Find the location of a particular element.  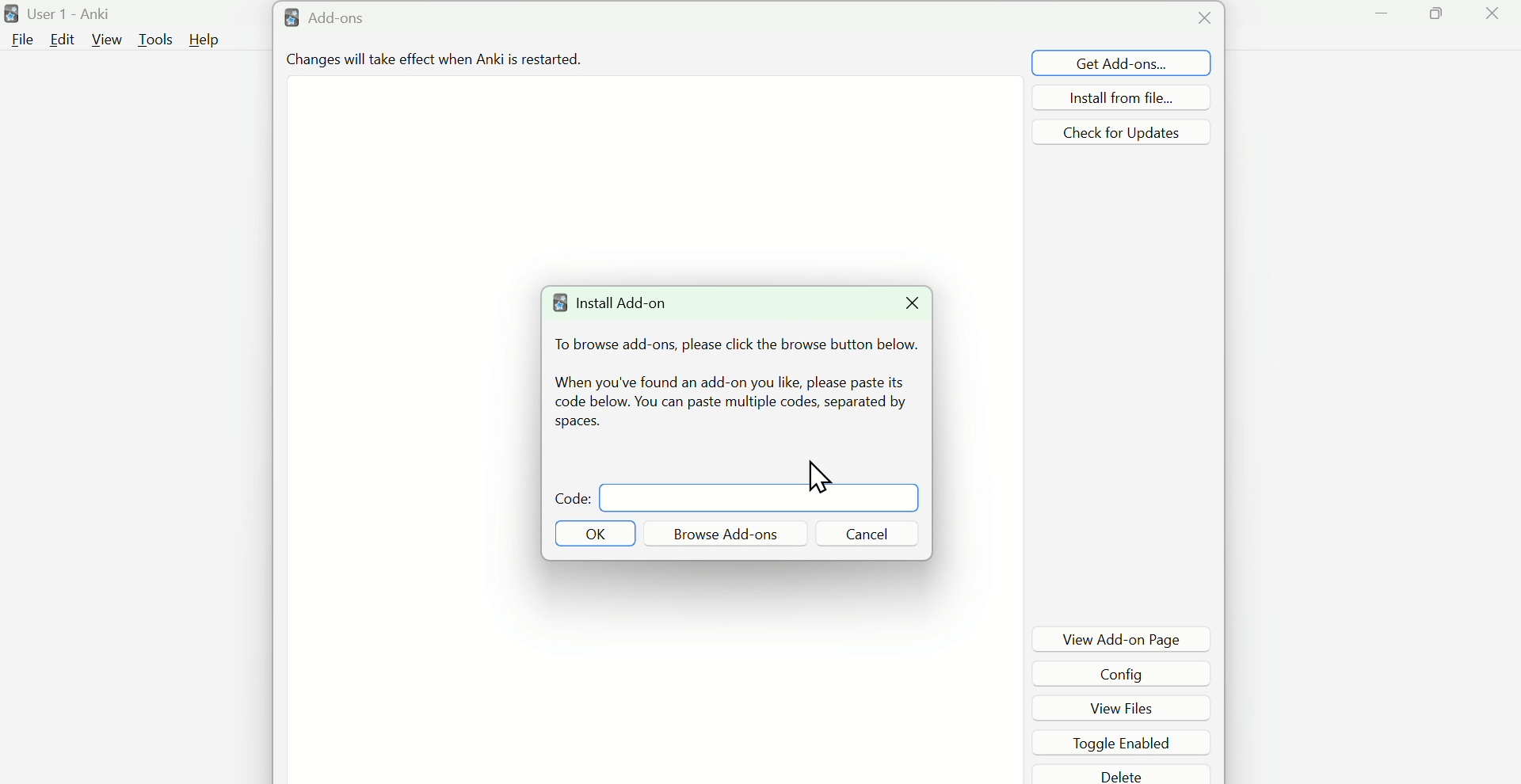

install add on is located at coordinates (620, 306).